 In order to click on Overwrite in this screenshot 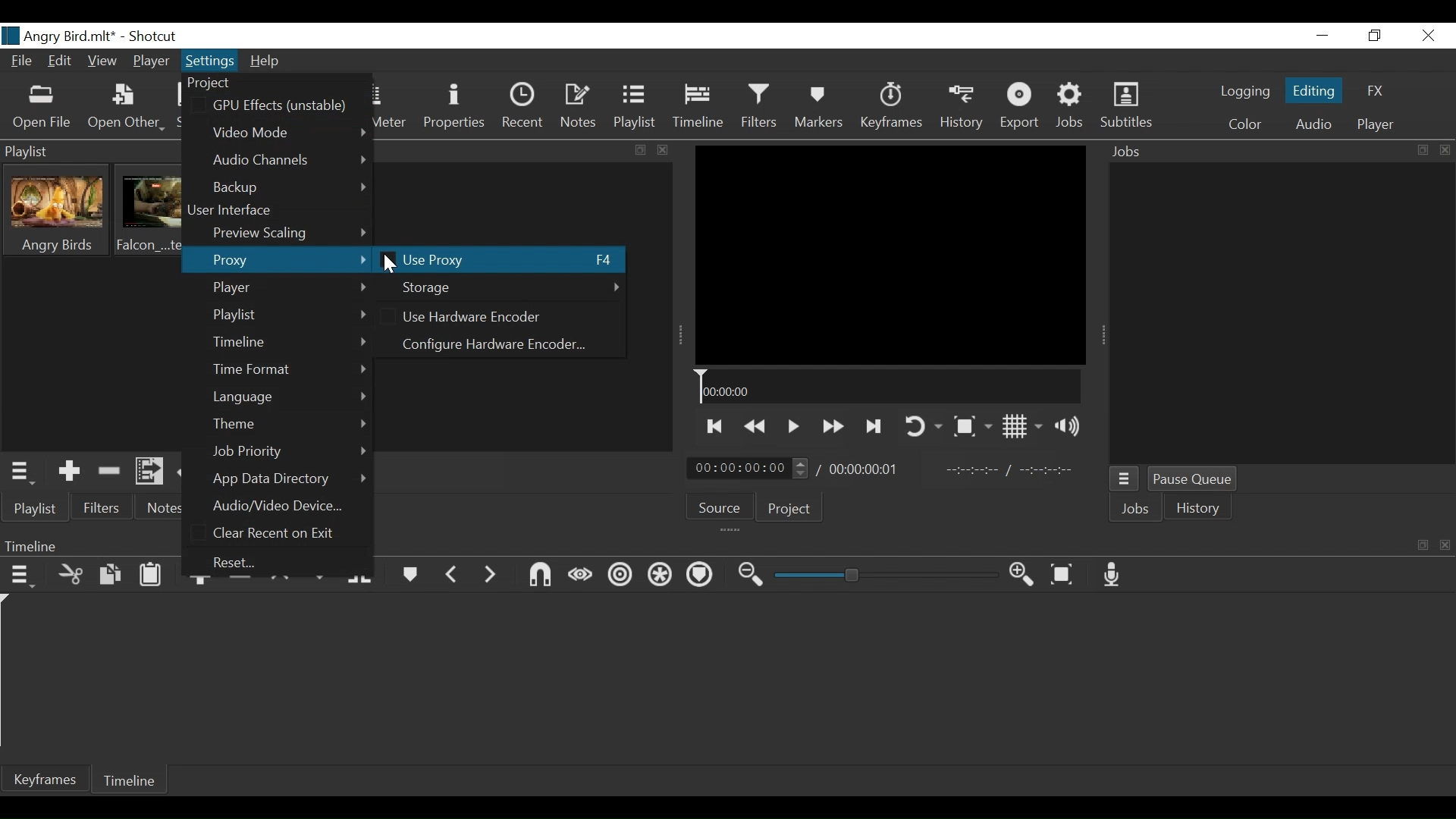, I will do `click(321, 576)`.